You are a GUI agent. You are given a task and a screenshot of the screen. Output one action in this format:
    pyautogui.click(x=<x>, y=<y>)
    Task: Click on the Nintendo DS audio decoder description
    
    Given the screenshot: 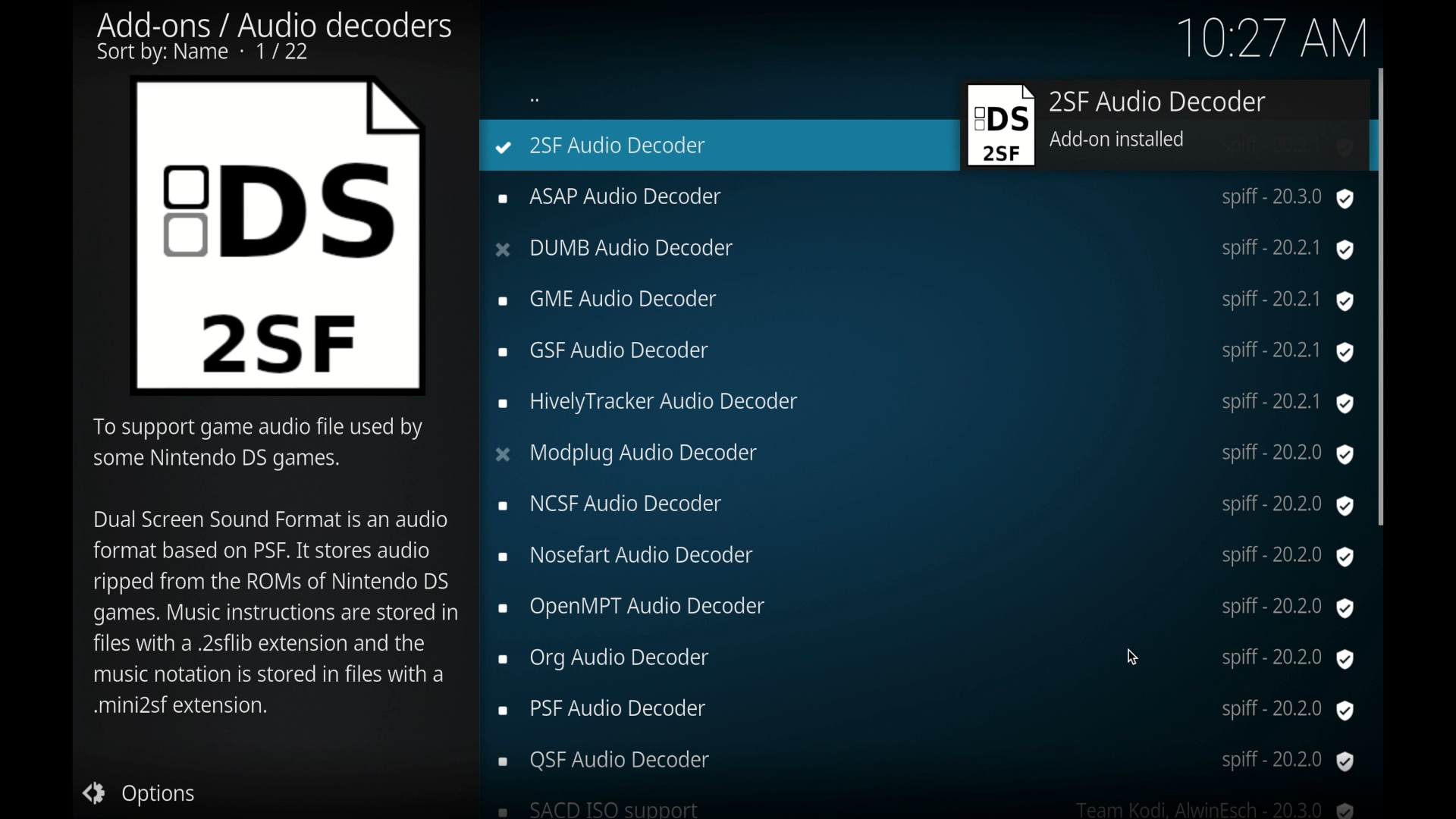 What is the action you would take?
    pyautogui.click(x=272, y=566)
    